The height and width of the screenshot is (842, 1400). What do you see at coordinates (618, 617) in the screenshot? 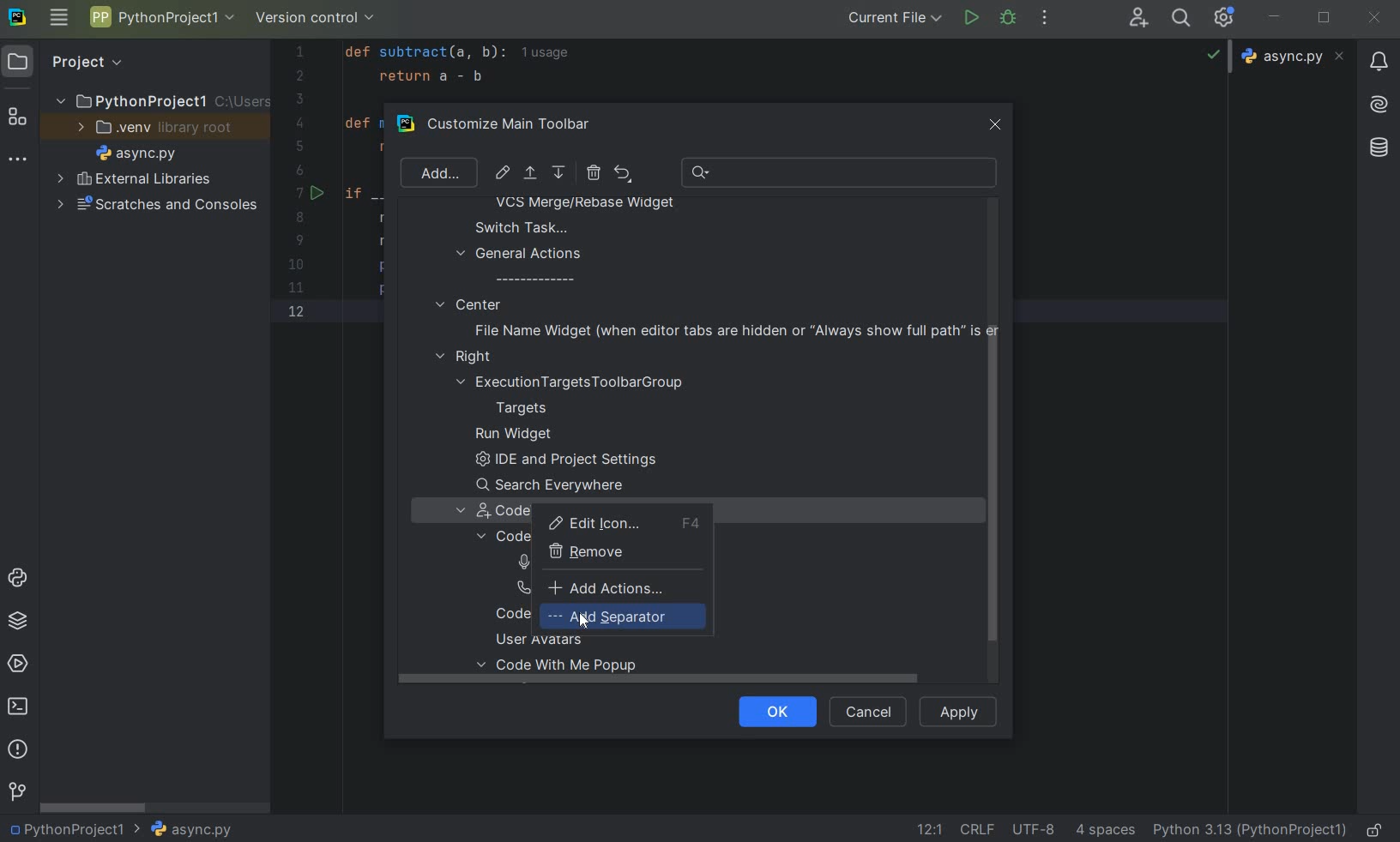
I see `add separator` at bounding box center [618, 617].